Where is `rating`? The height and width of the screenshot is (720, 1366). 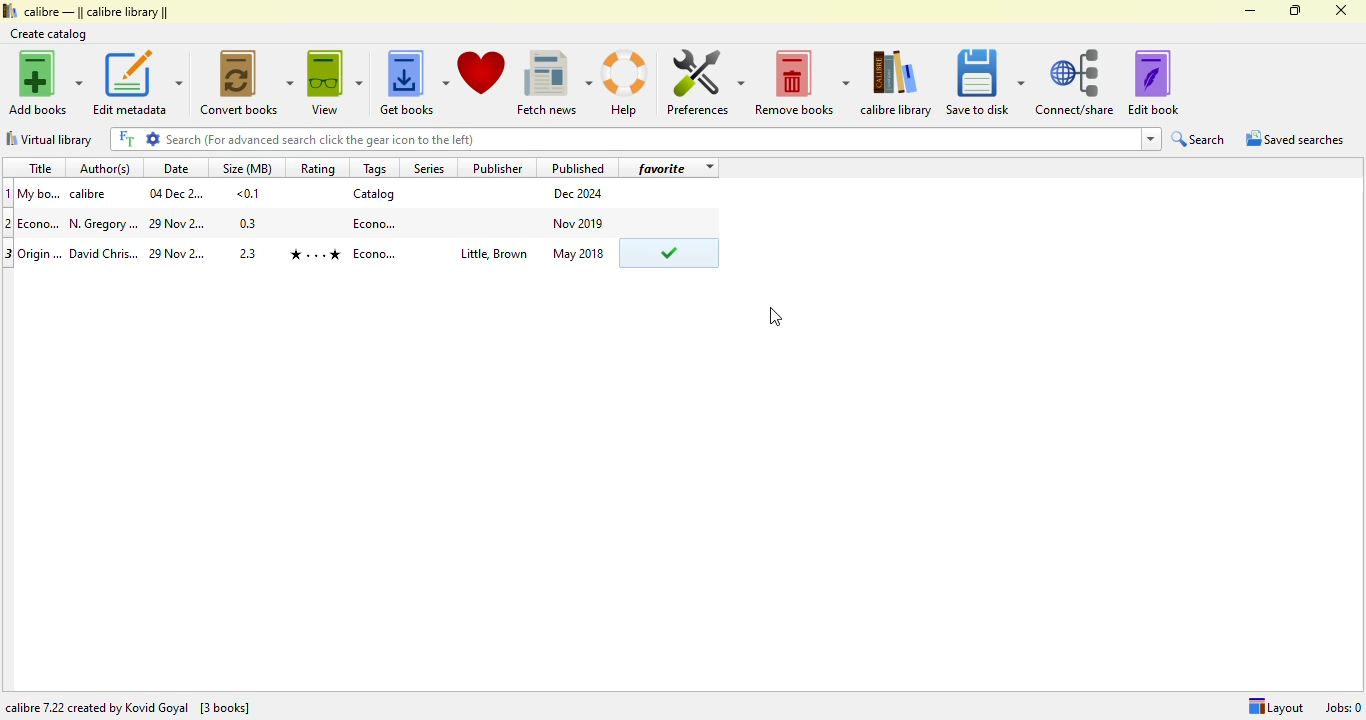
rating is located at coordinates (317, 168).